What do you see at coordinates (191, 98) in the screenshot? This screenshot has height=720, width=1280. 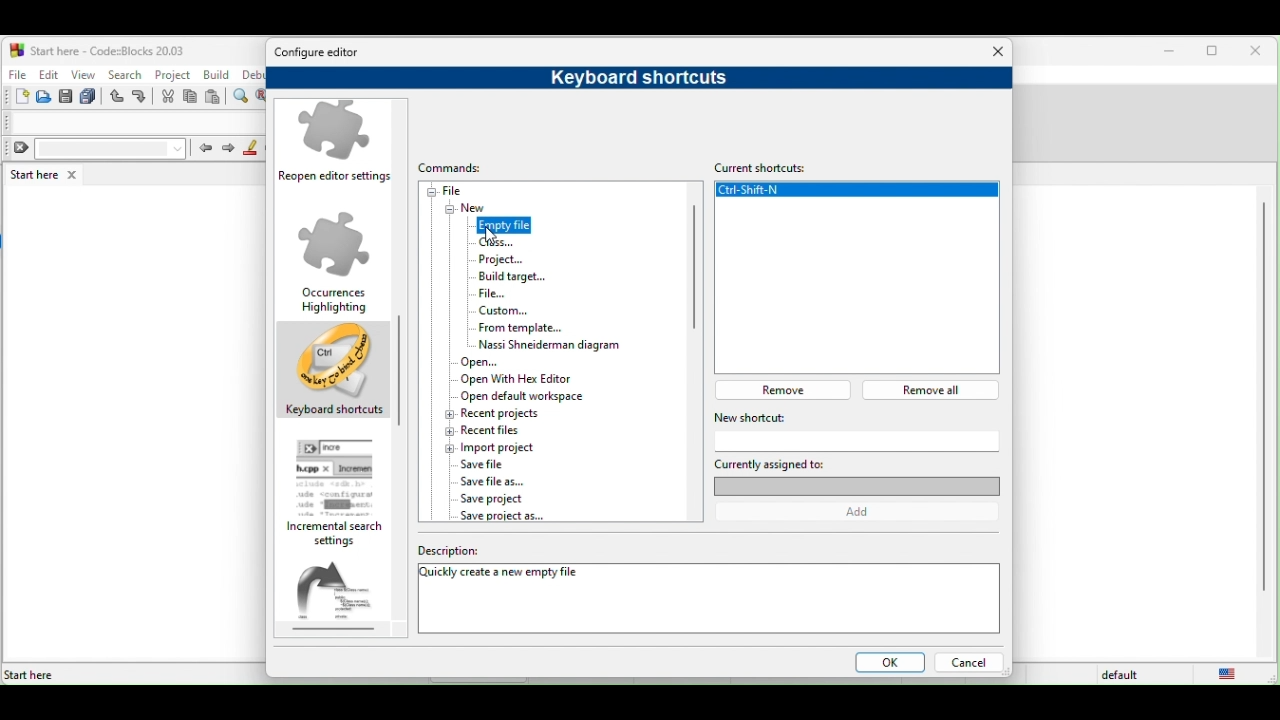 I see `copy` at bounding box center [191, 98].